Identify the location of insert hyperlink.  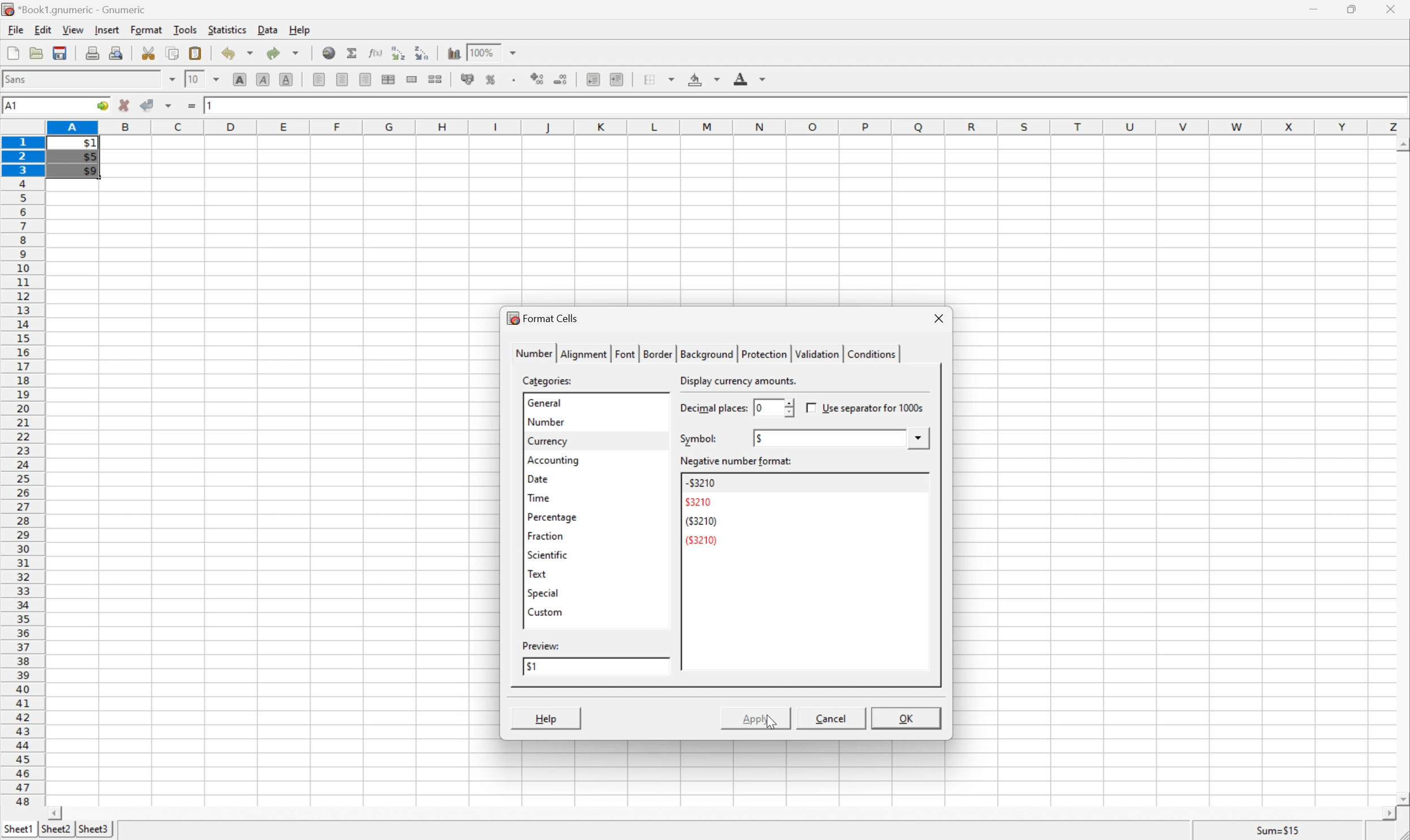
(330, 52).